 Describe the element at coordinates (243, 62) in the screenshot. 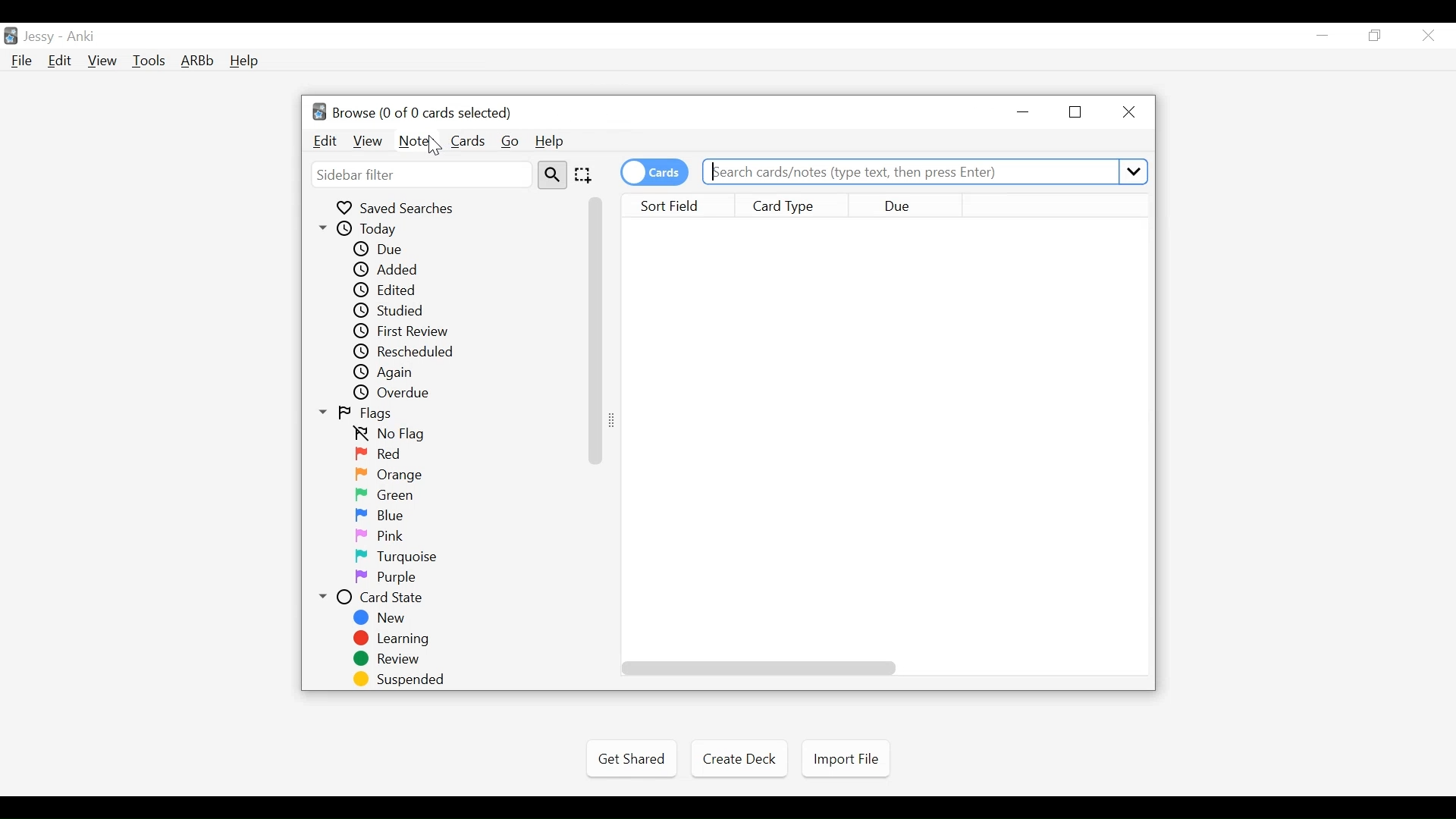

I see `Help` at that location.